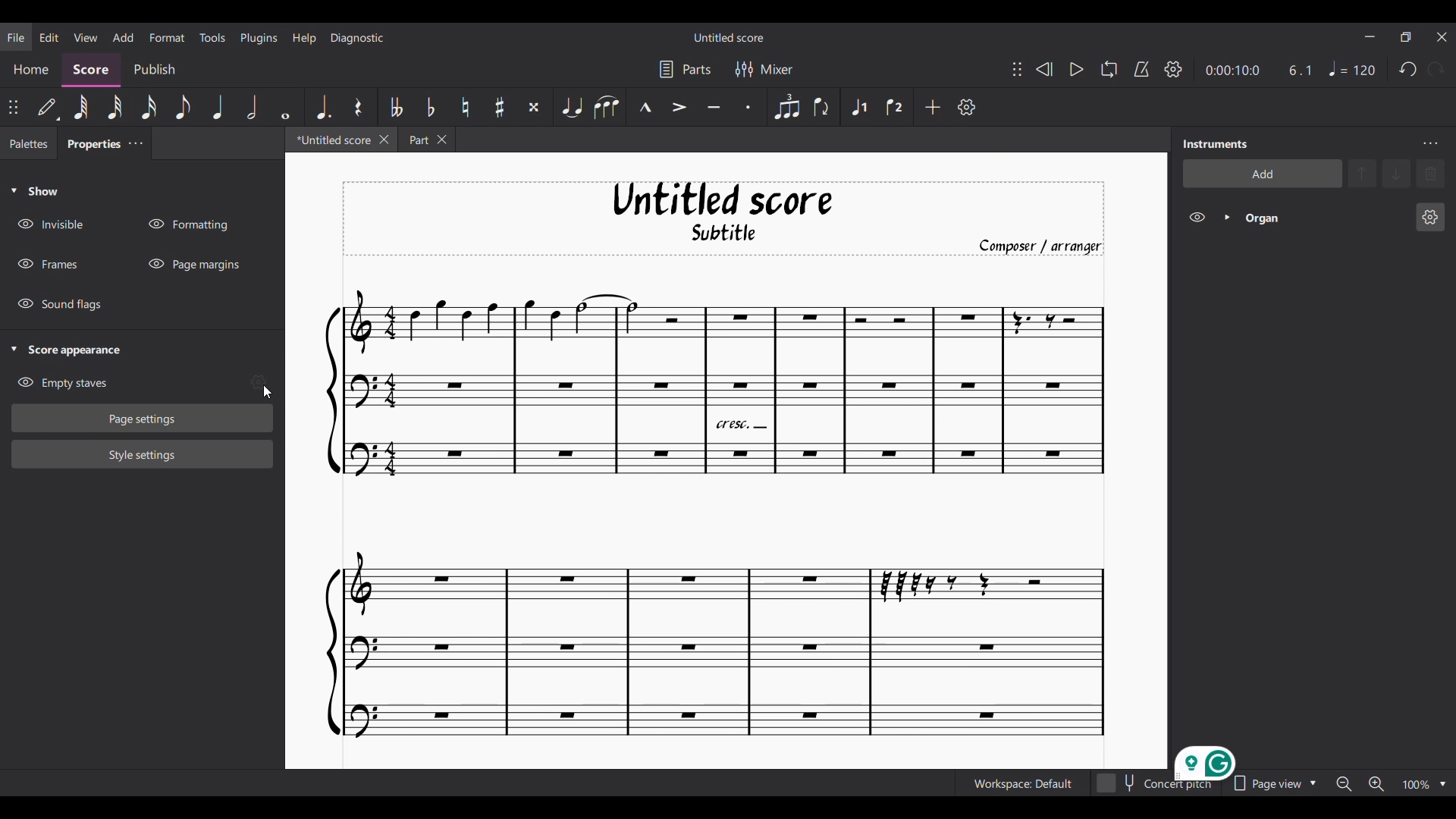 The image size is (1456, 819). Describe the element at coordinates (193, 264) in the screenshot. I see `Hide Page margins` at that location.